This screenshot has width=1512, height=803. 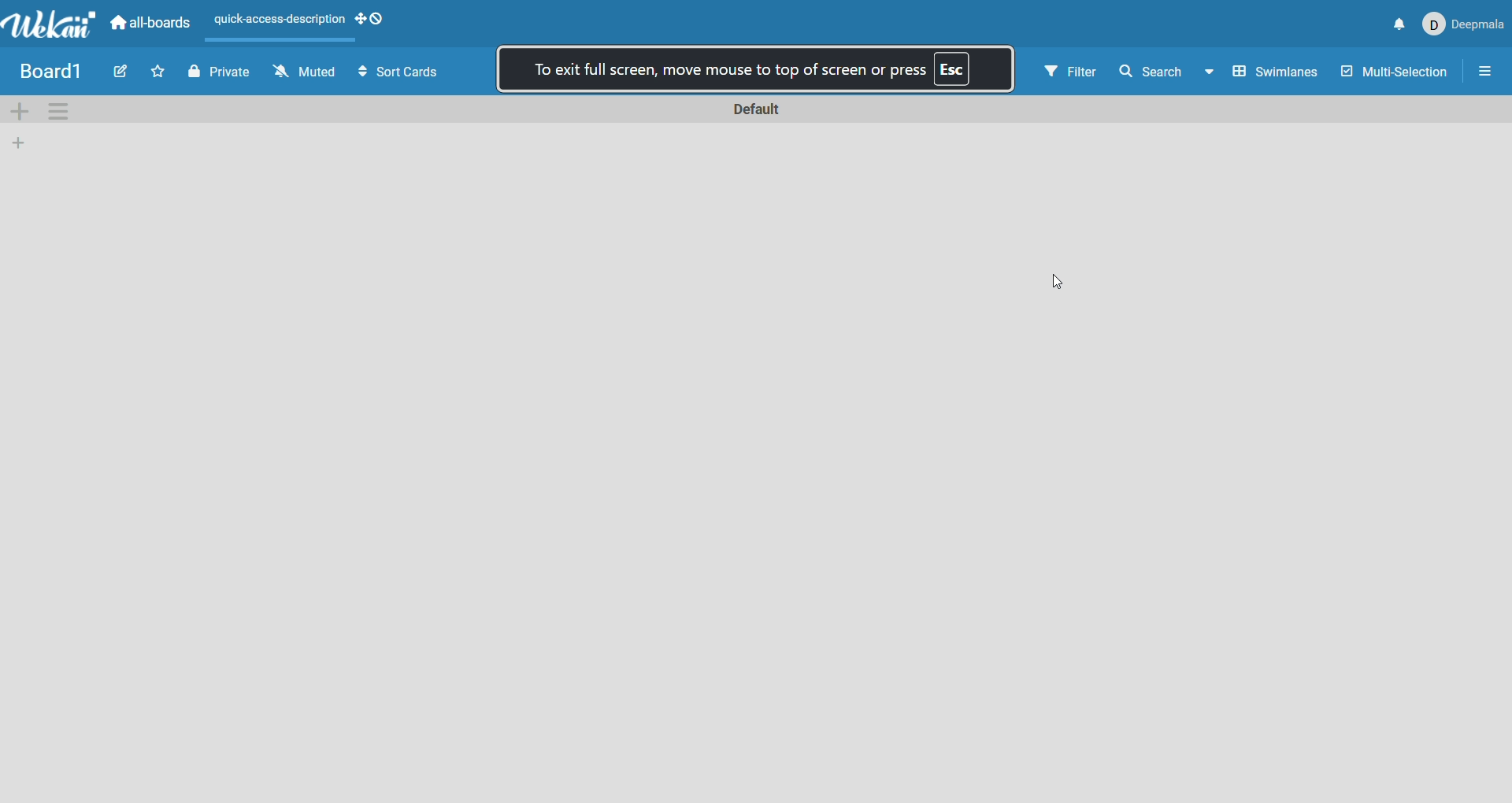 I want to click on board1, so click(x=52, y=71).